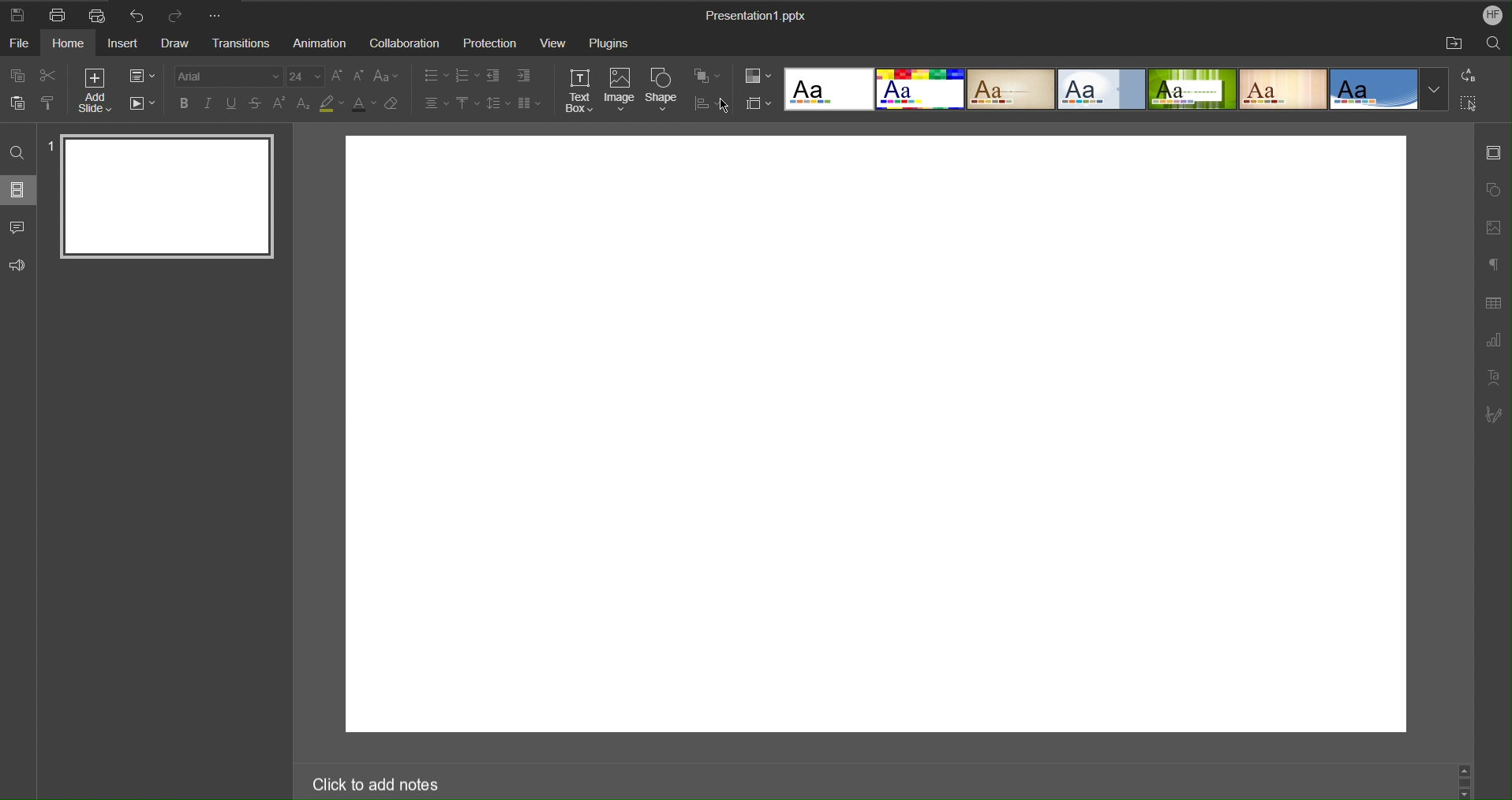 This screenshot has width=1512, height=800. What do you see at coordinates (185, 104) in the screenshot?
I see `Bold` at bounding box center [185, 104].